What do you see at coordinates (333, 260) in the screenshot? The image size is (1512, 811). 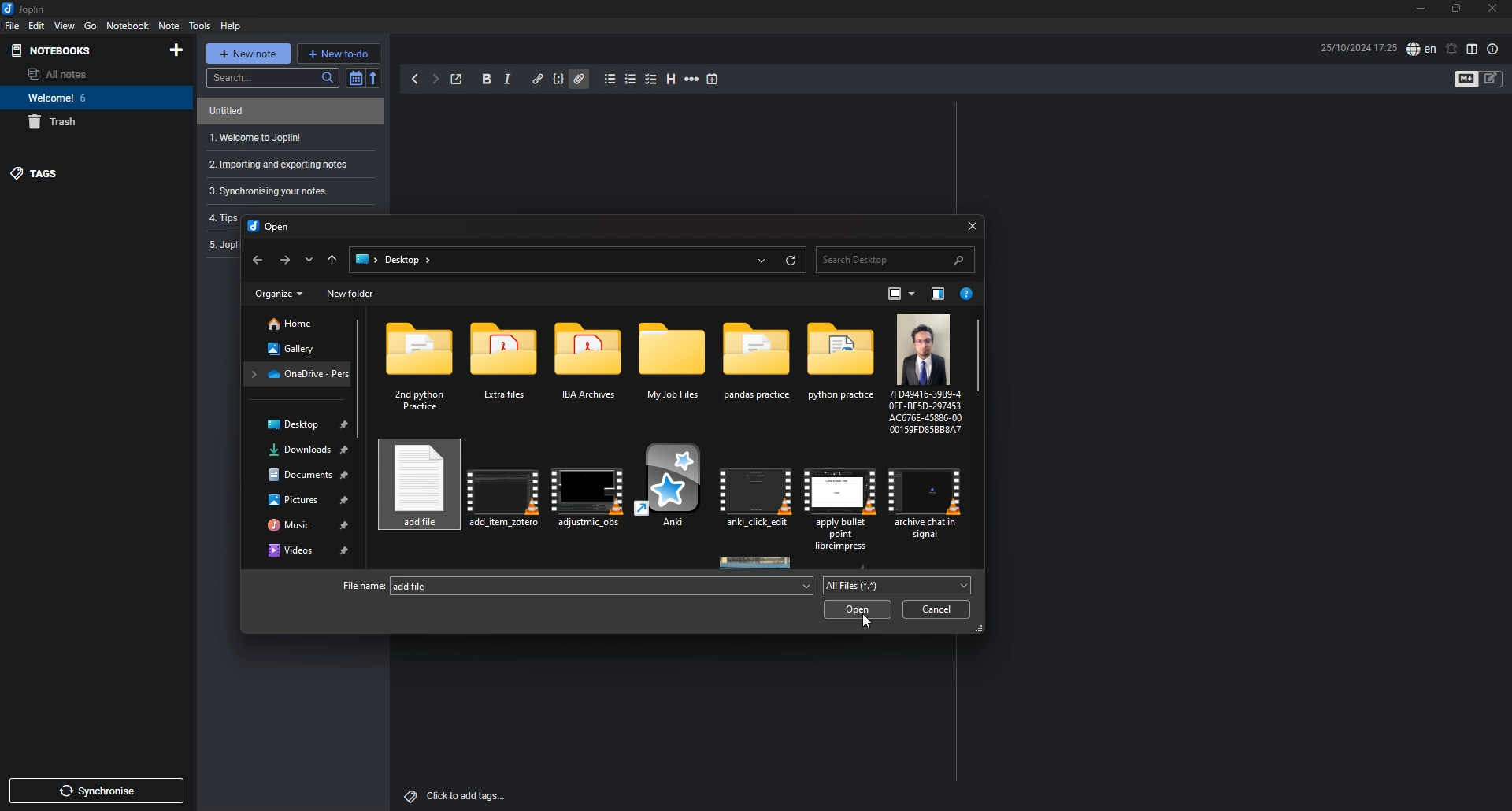 I see `upto desktop` at bounding box center [333, 260].